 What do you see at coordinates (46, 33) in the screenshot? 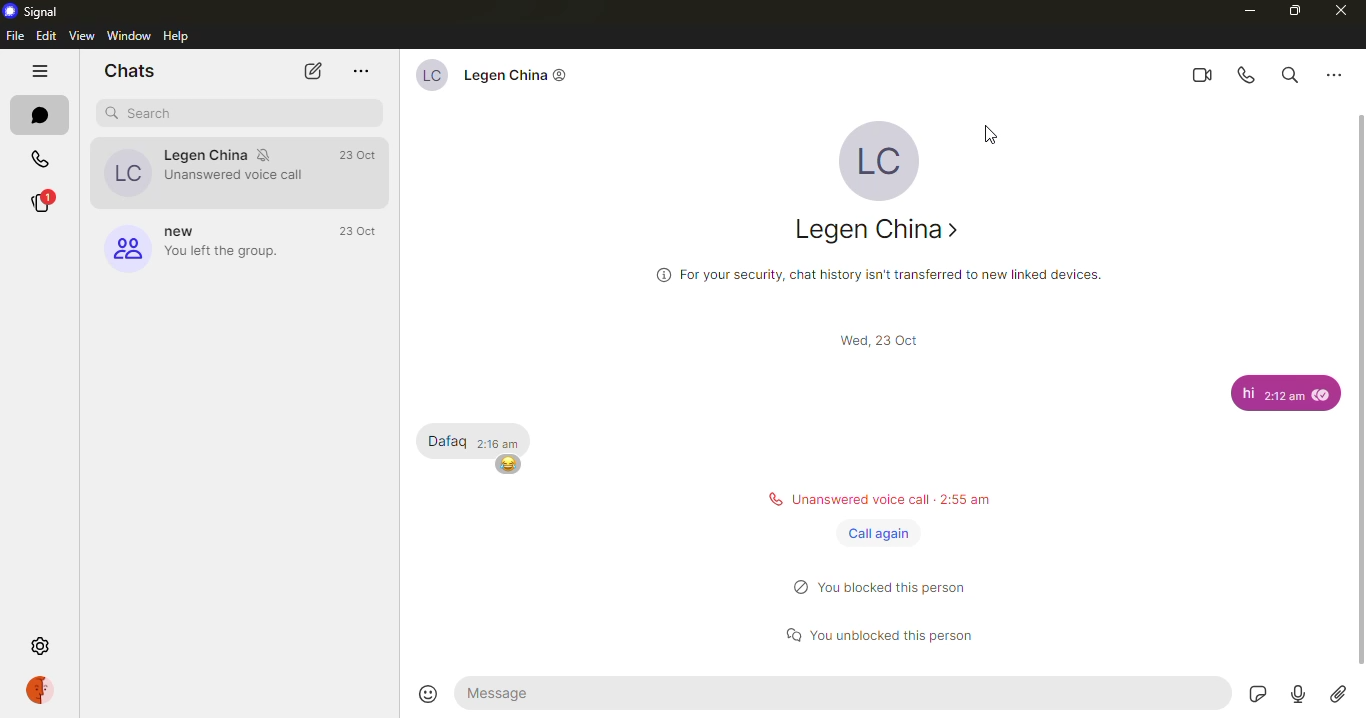
I see `edit` at bounding box center [46, 33].